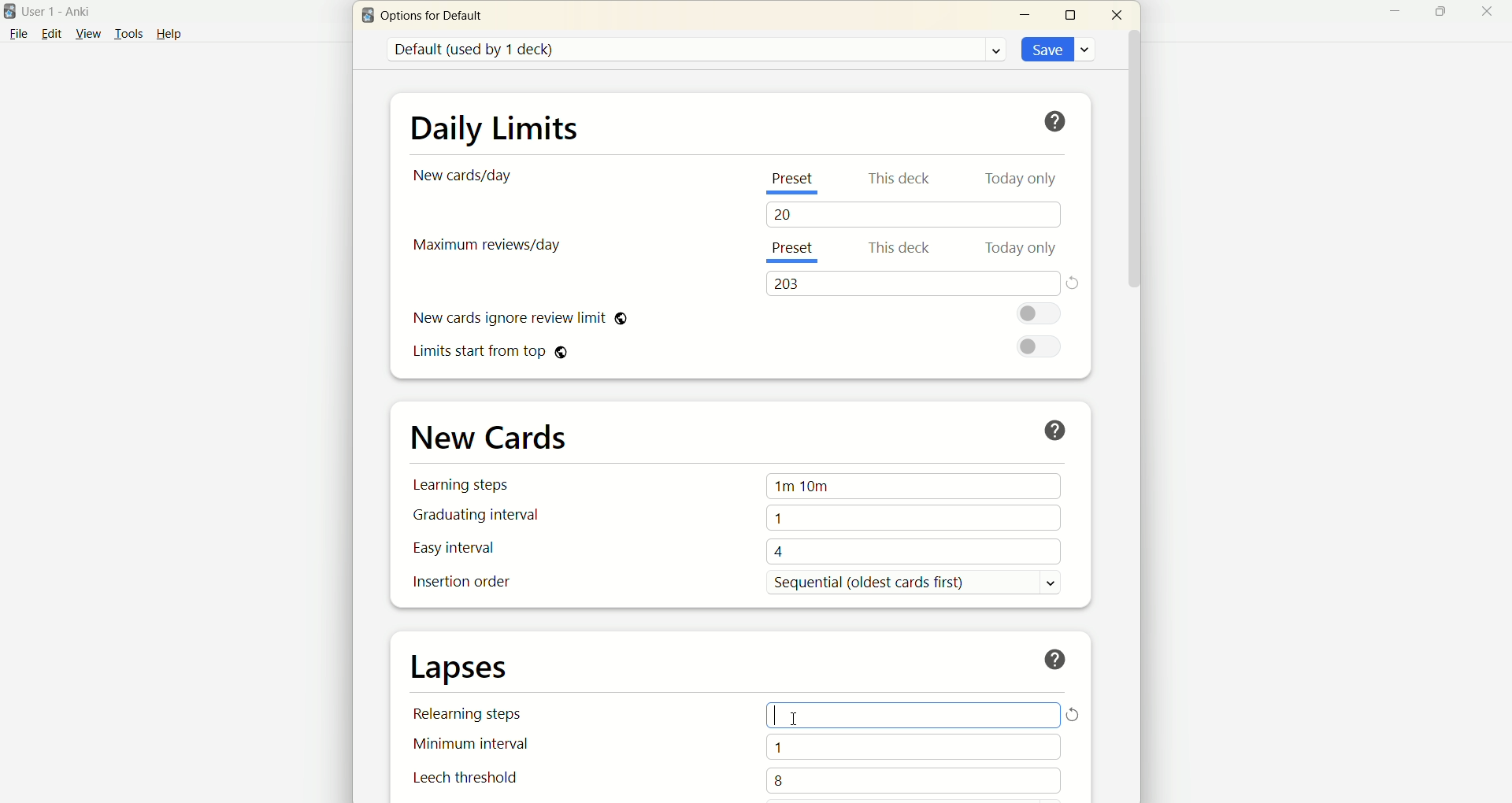 The image size is (1512, 803). Describe the element at coordinates (787, 718) in the screenshot. I see `cursor` at that location.